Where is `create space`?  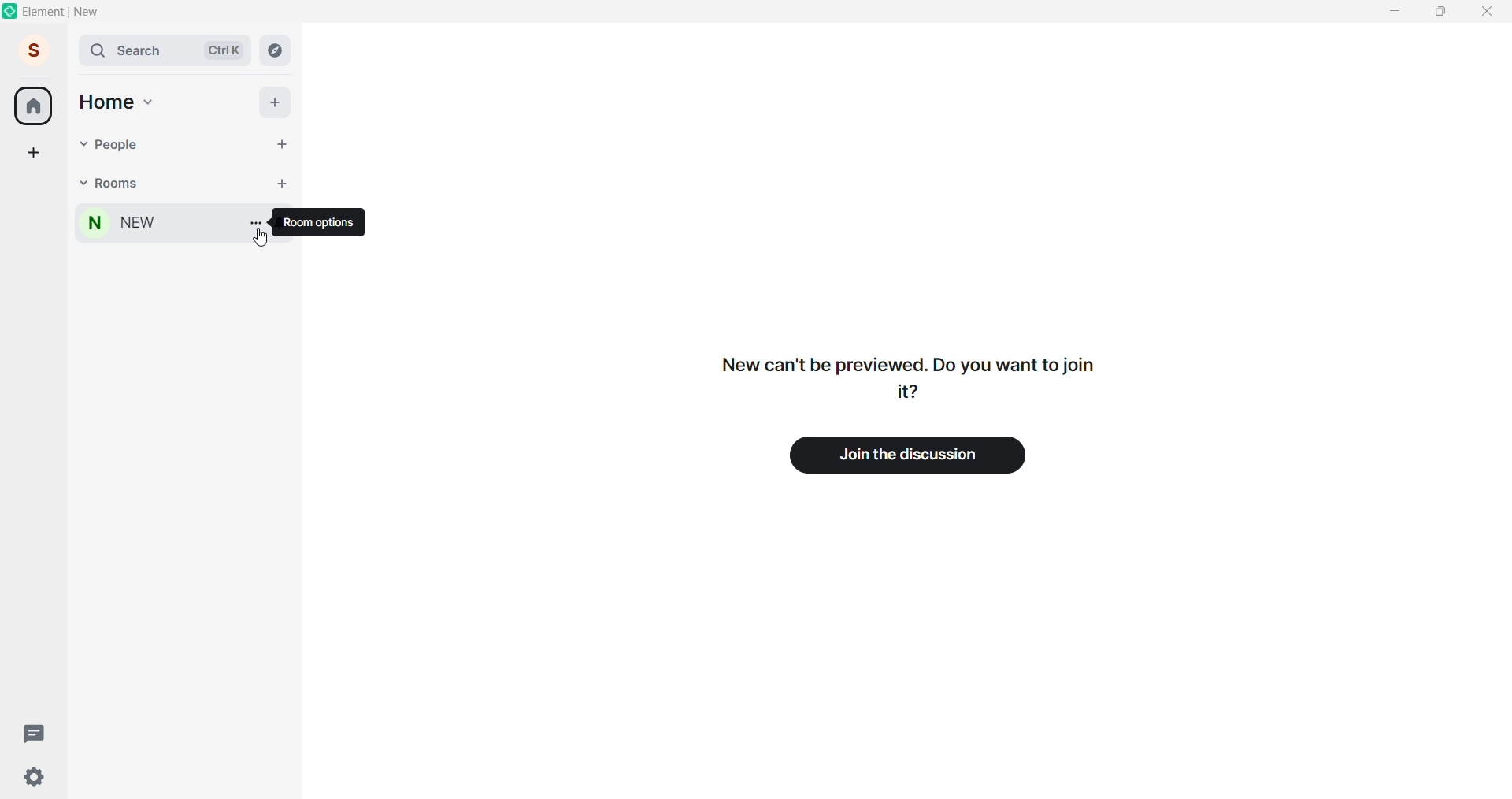
create space is located at coordinates (32, 147).